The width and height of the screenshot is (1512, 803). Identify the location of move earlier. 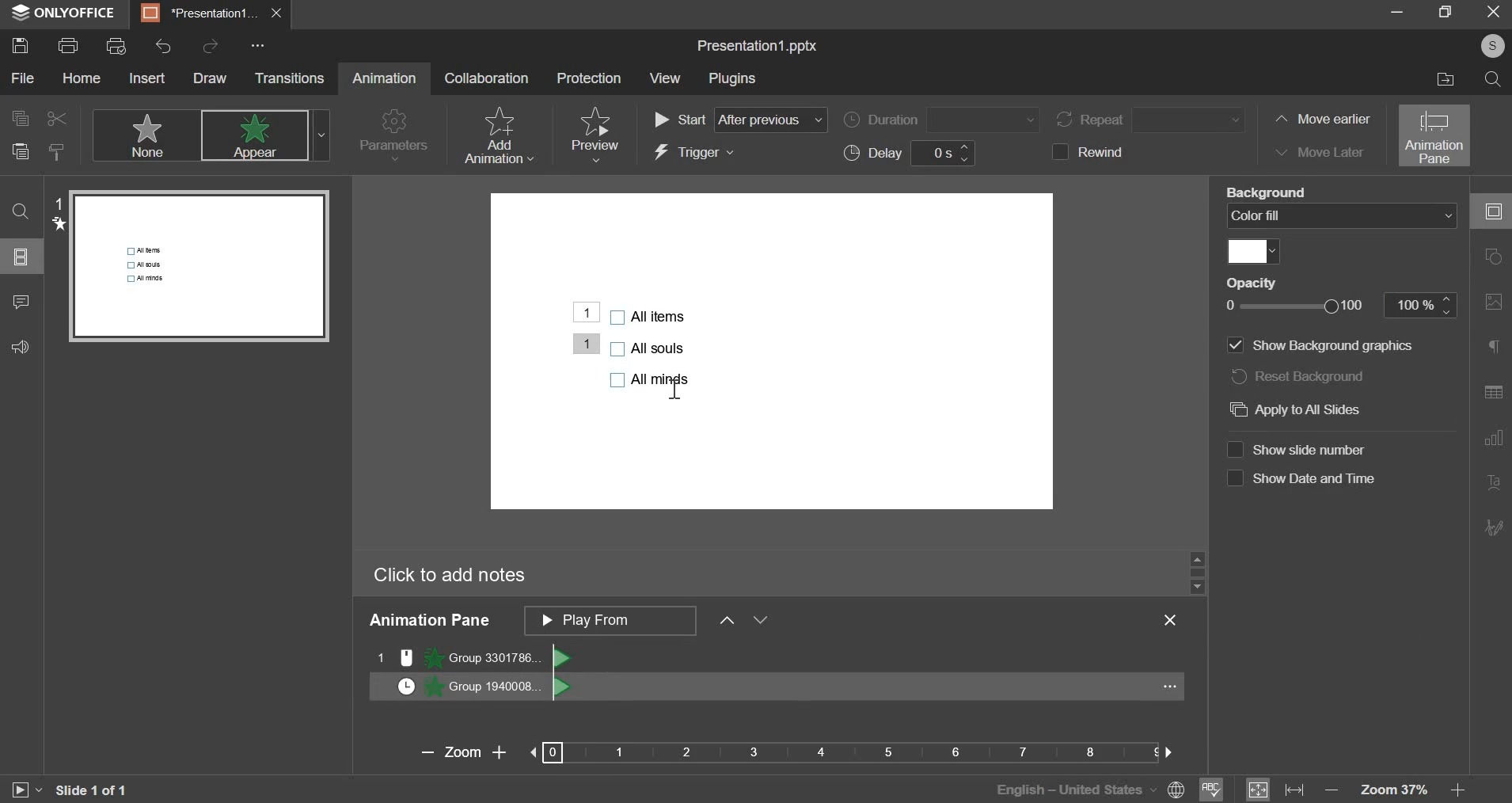
(1320, 120).